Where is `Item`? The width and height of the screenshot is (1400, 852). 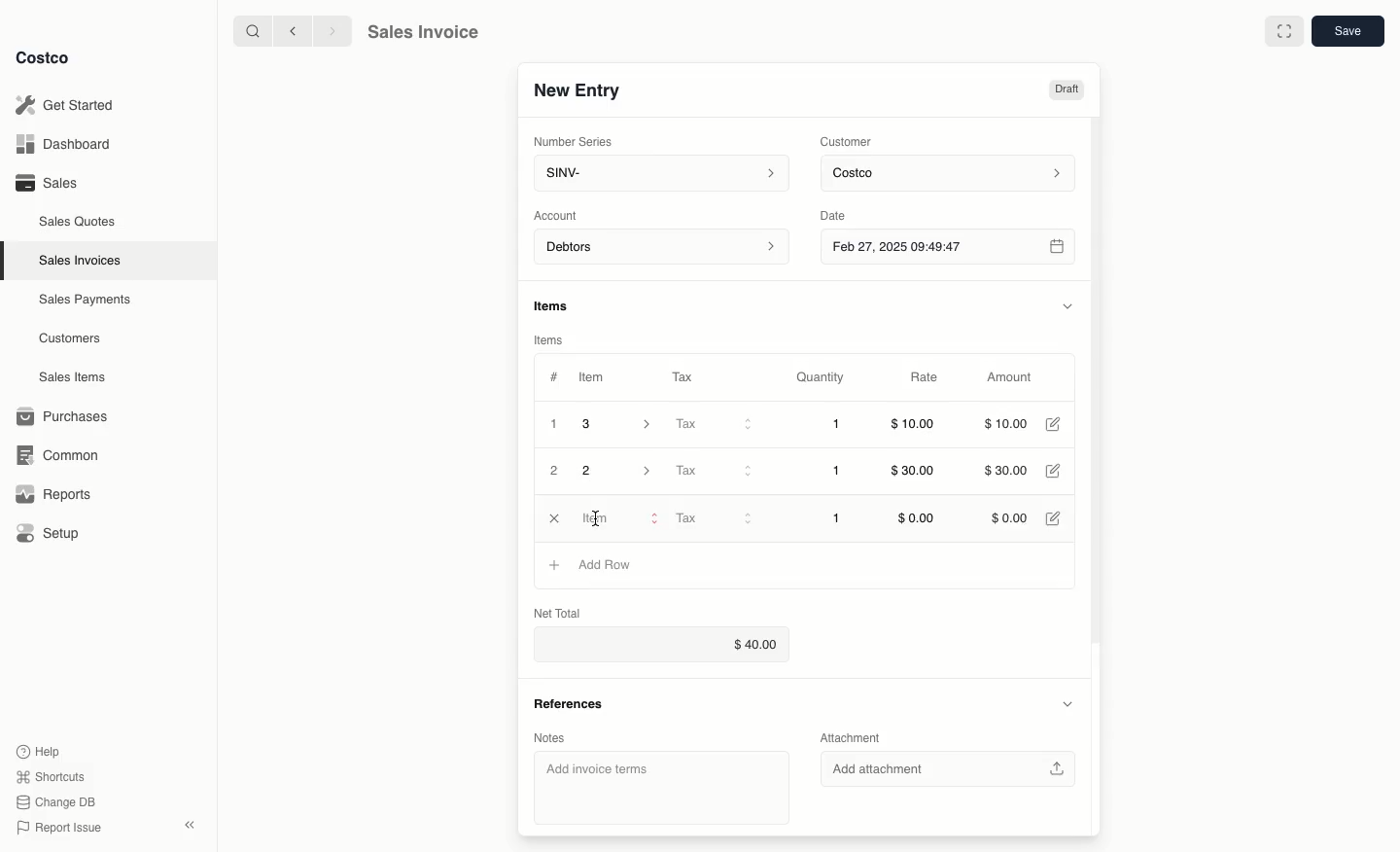
Item is located at coordinates (618, 518).